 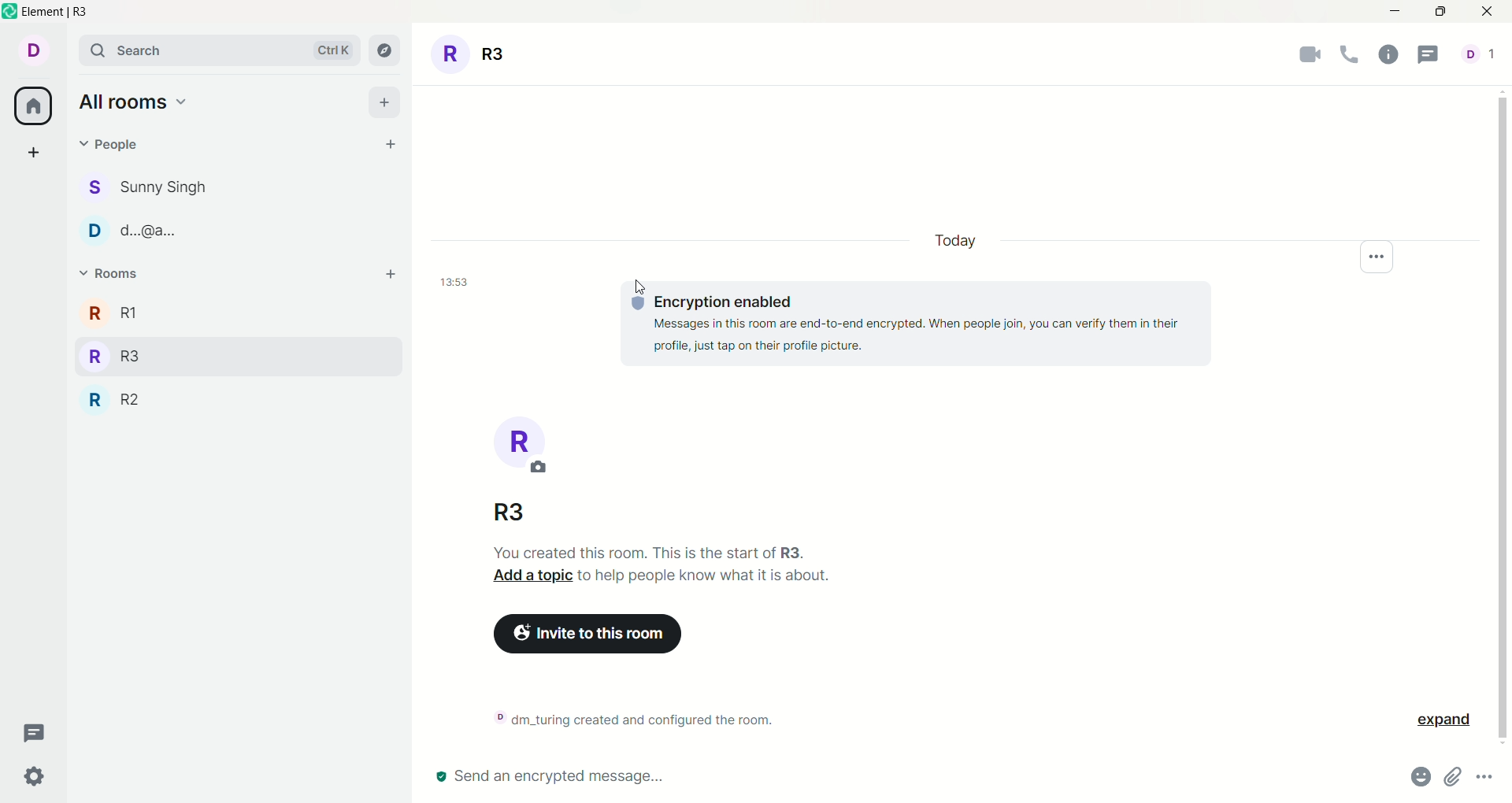 What do you see at coordinates (73, 13) in the screenshot?
I see `element` at bounding box center [73, 13].